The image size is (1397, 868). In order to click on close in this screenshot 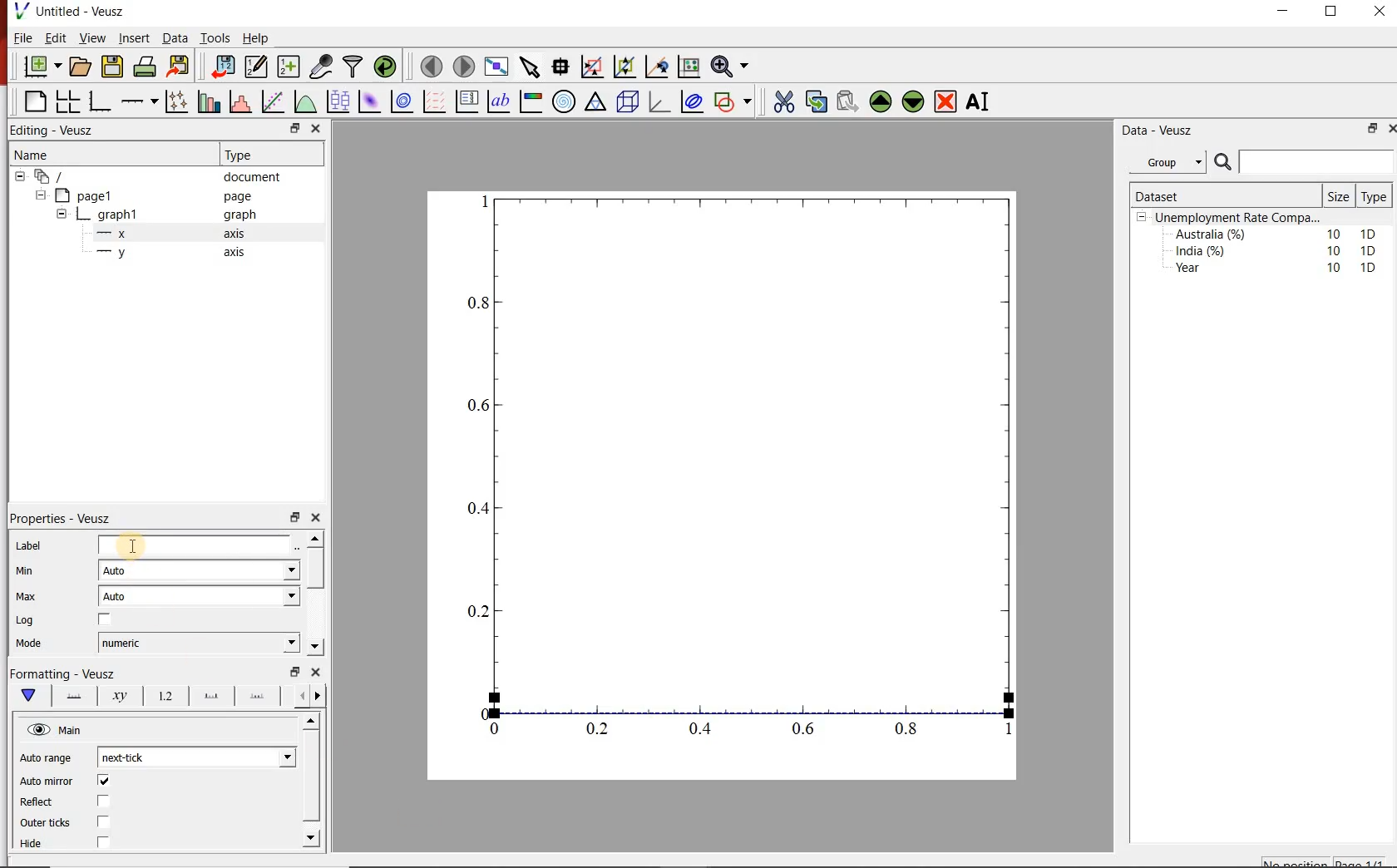, I will do `click(317, 518)`.